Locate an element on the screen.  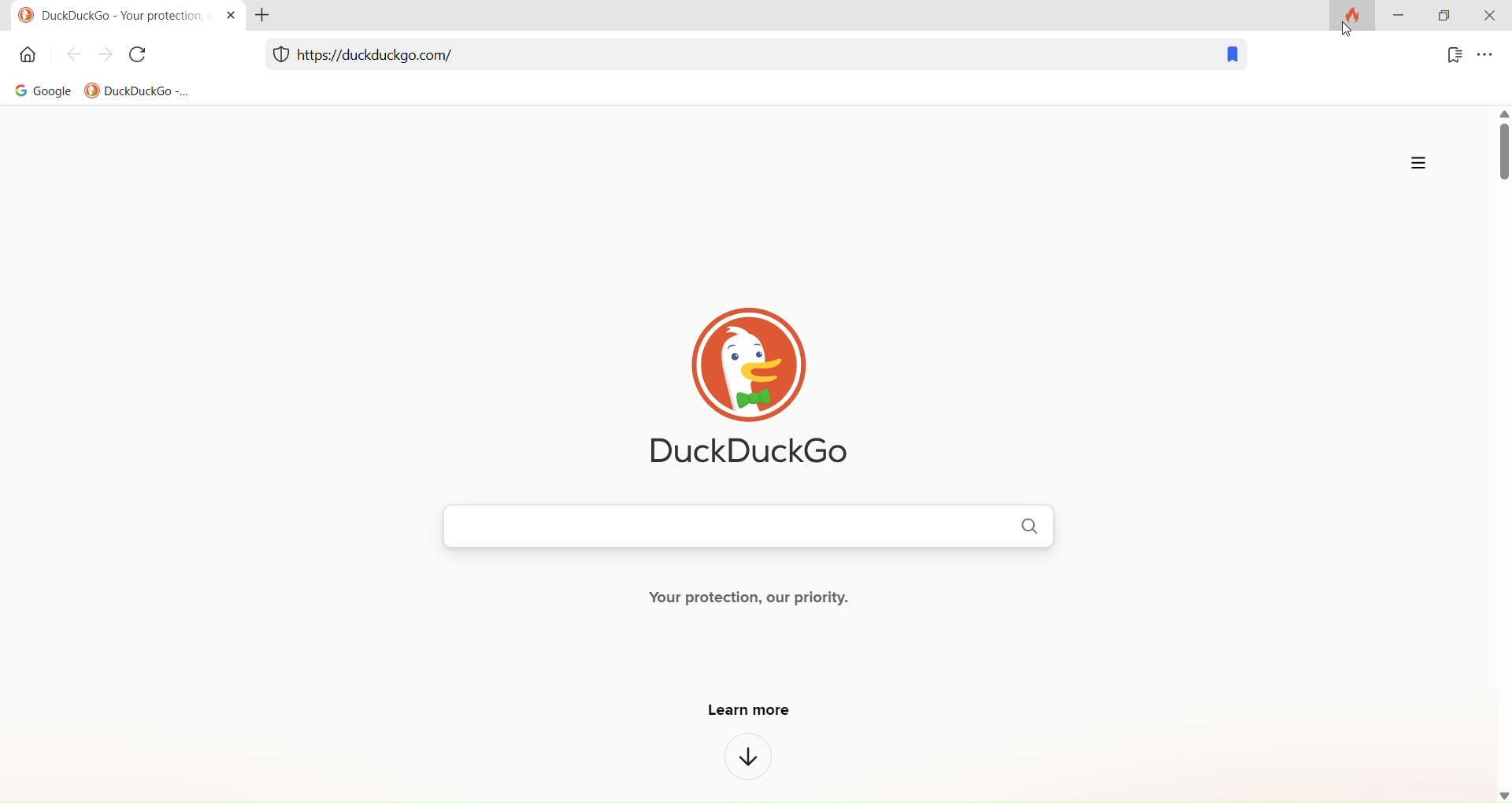
menu is located at coordinates (1489, 58).